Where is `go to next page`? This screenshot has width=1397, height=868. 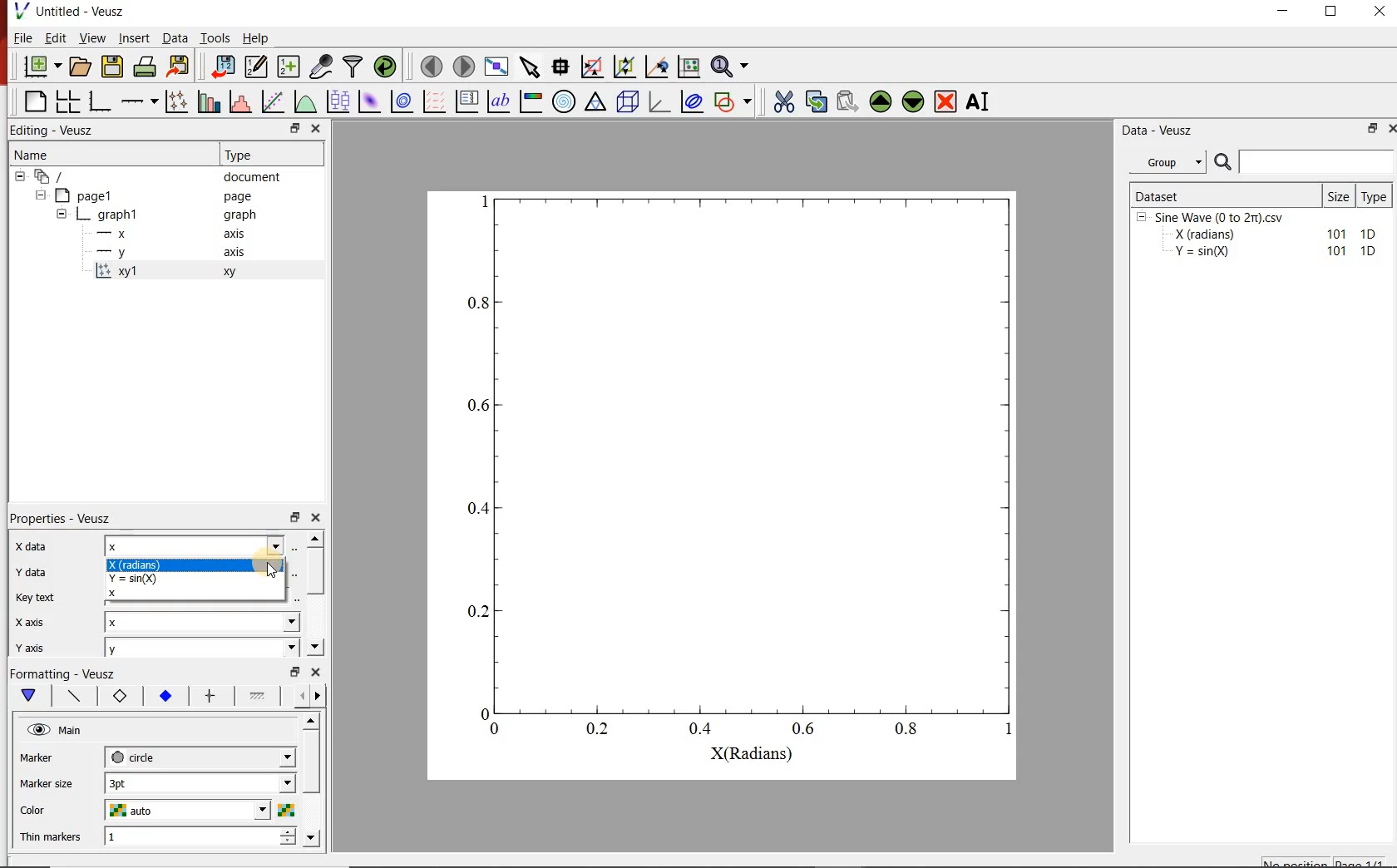 go to next page is located at coordinates (464, 65).